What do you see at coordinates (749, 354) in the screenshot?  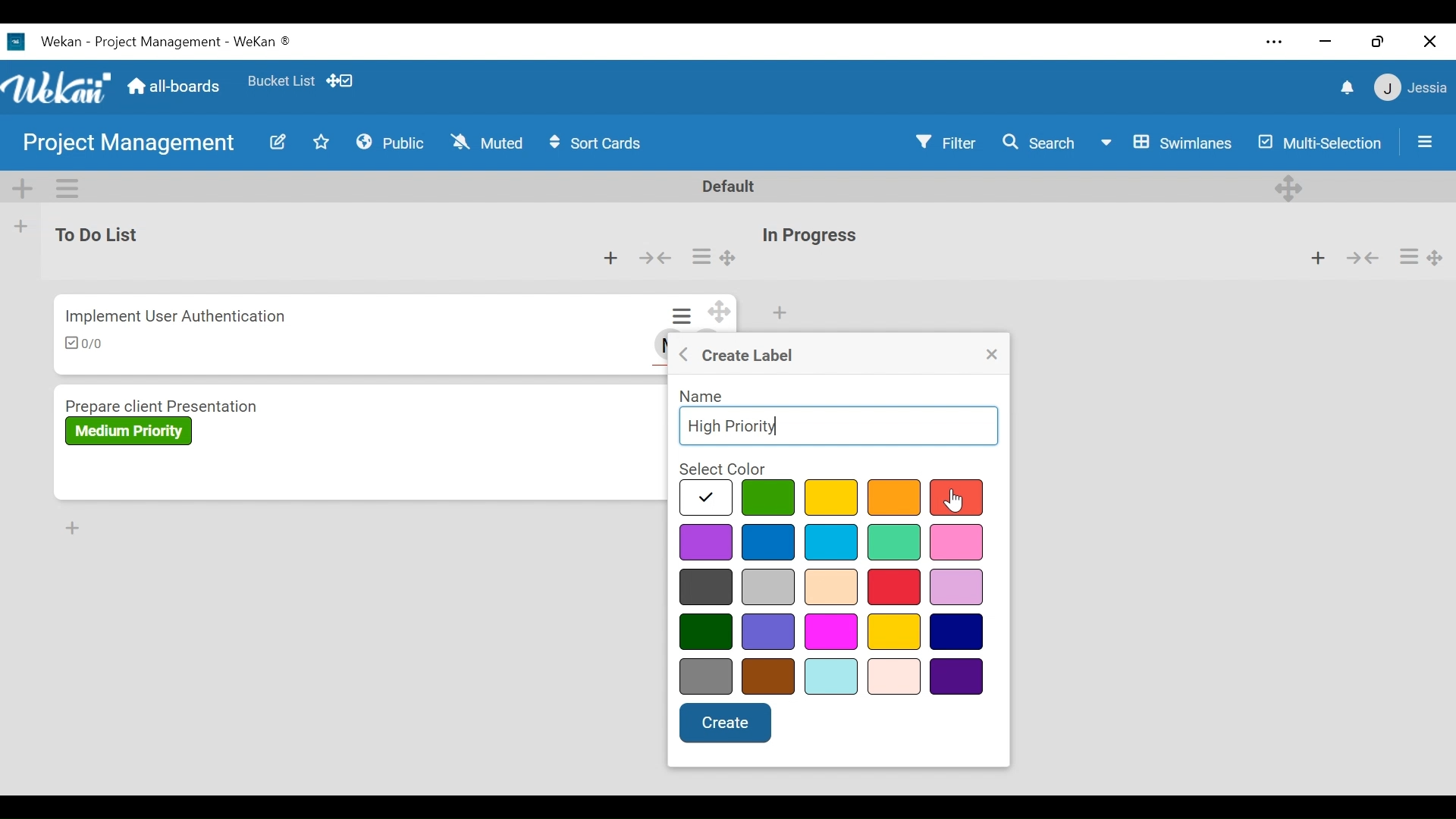 I see `Create label` at bounding box center [749, 354].